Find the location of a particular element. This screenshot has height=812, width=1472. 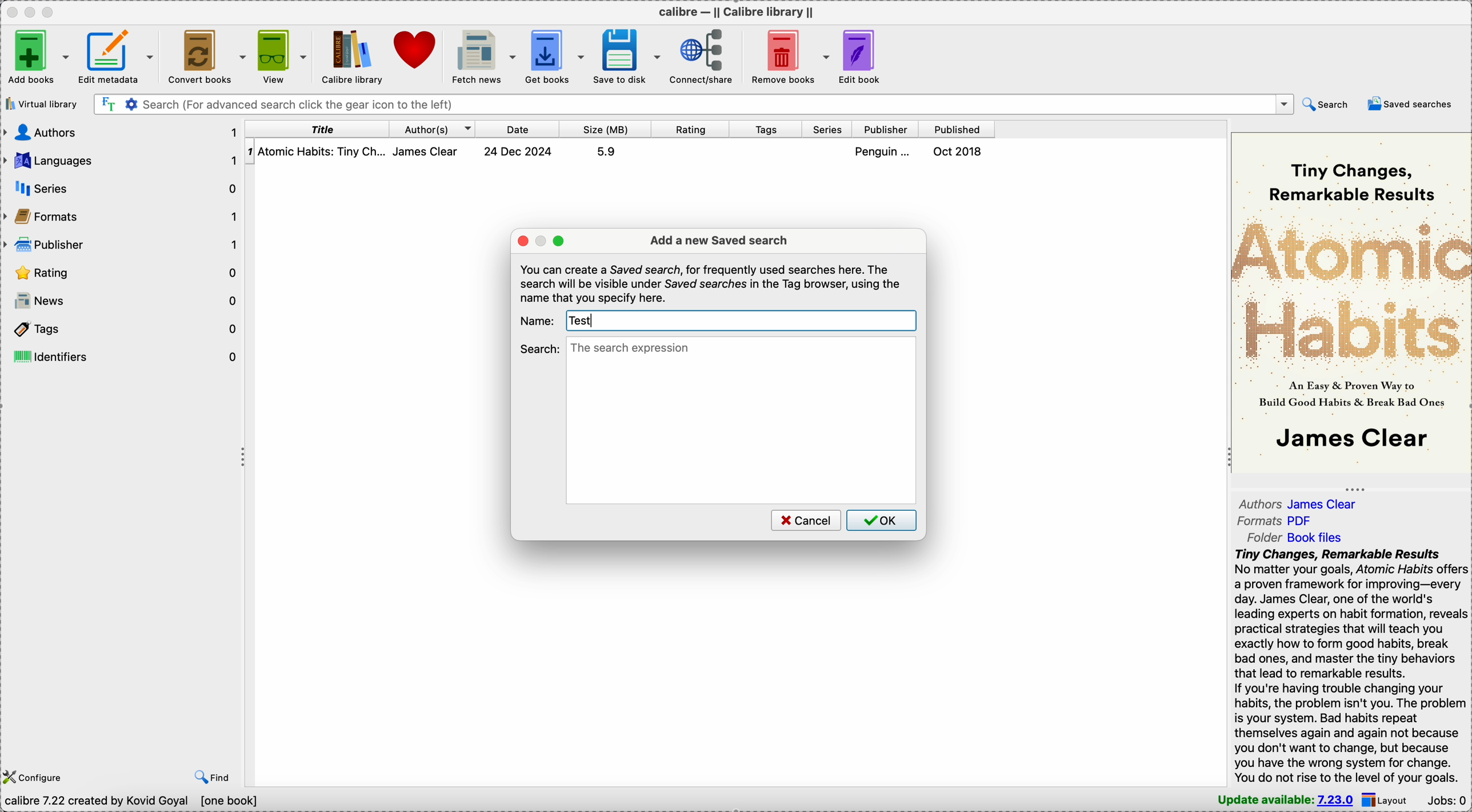

saved searches is located at coordinates (1413, 104).